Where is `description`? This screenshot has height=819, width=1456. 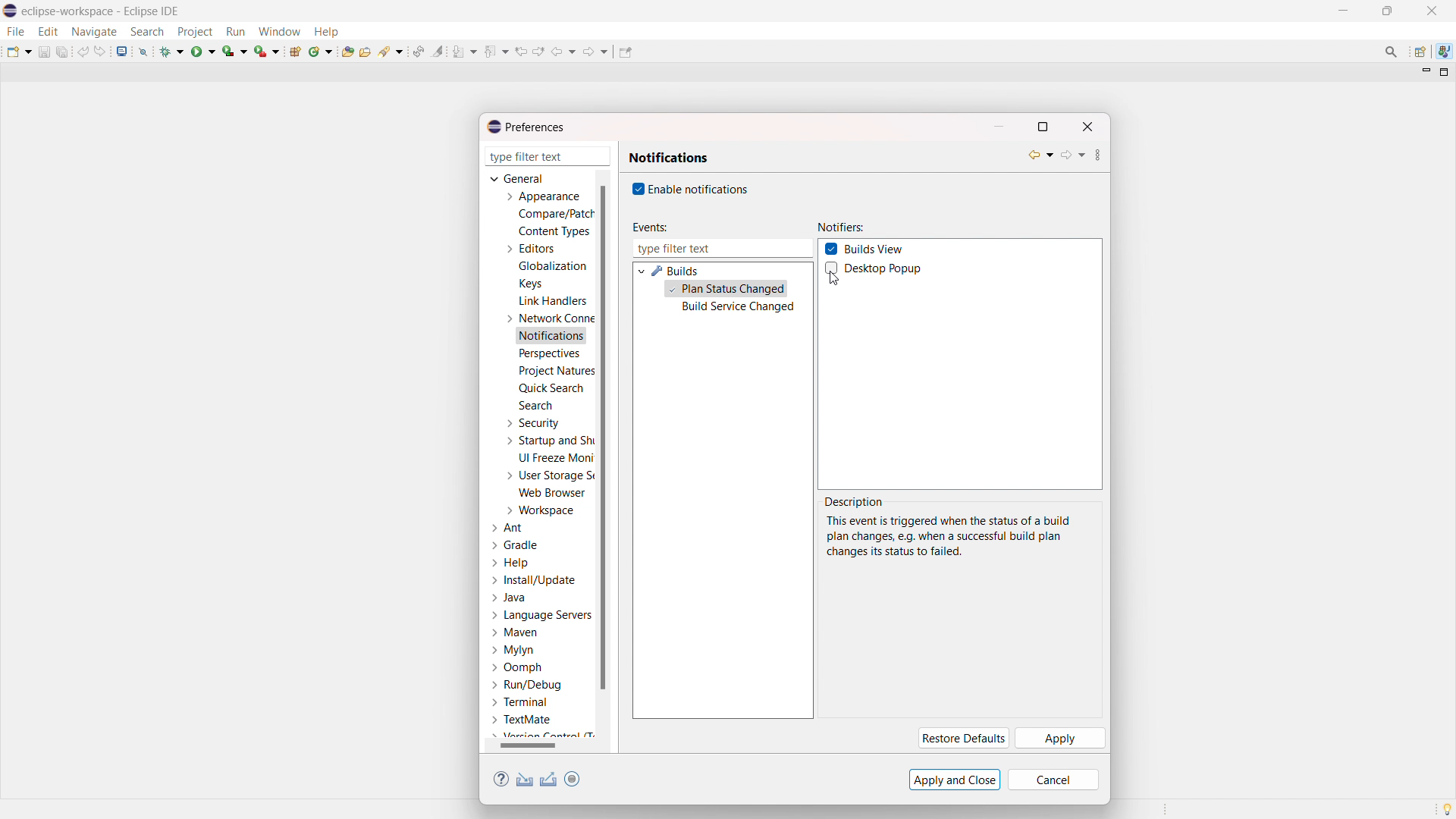 description is located at coordinates (948, 536).